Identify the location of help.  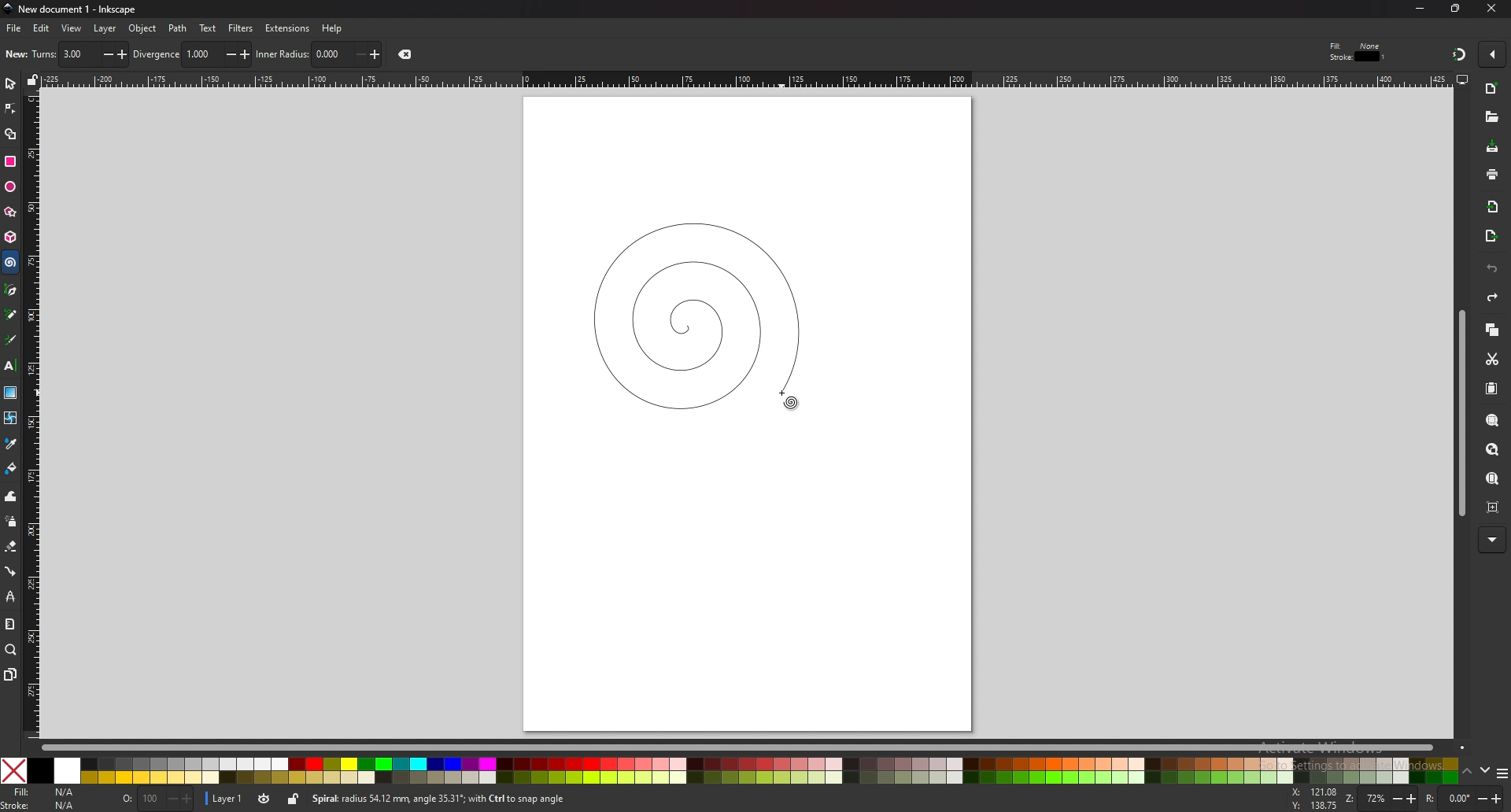
(332, 28).